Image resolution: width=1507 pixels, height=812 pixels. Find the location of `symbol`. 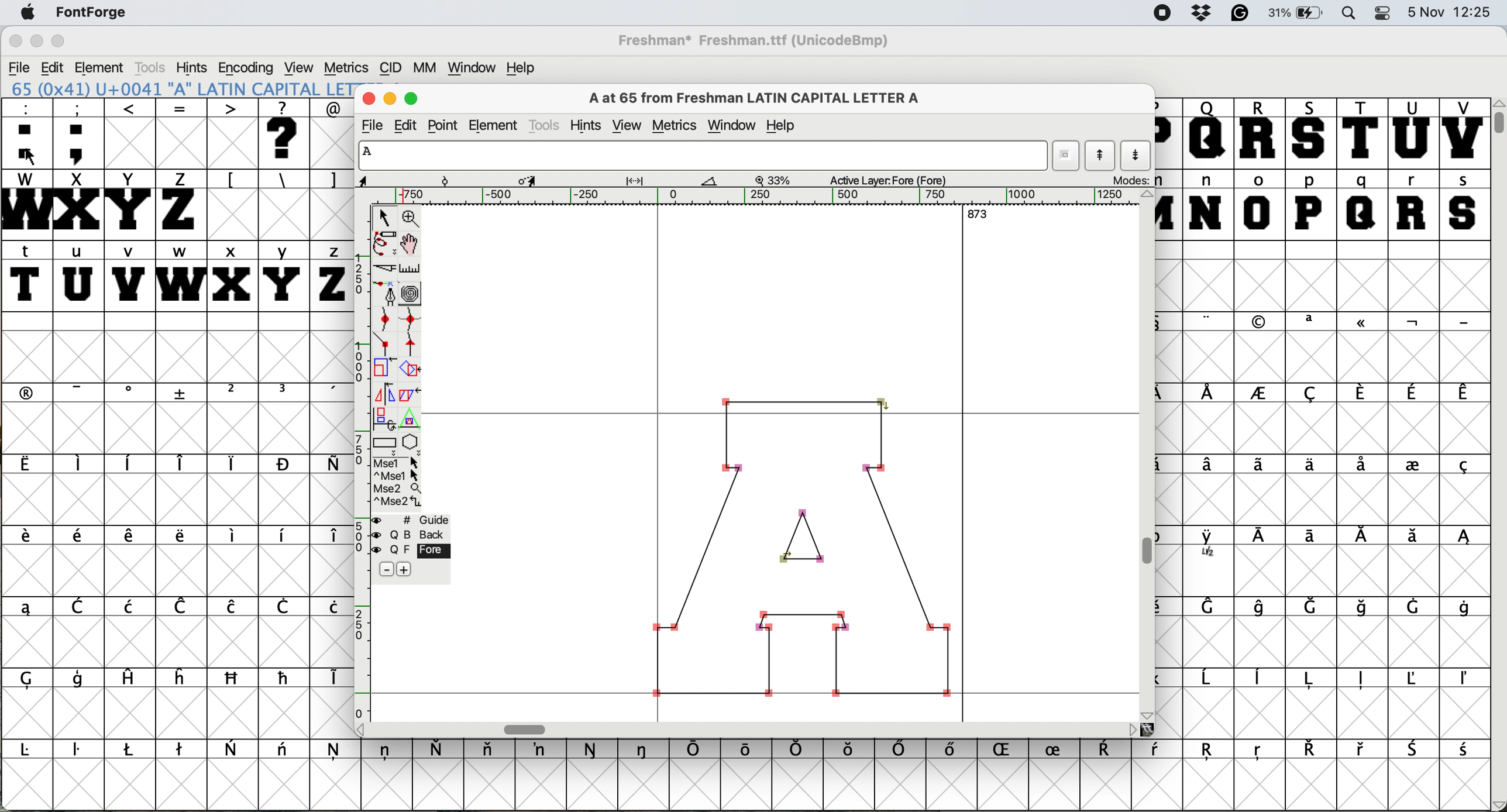

symbol is located at coordinates (1363, 325).